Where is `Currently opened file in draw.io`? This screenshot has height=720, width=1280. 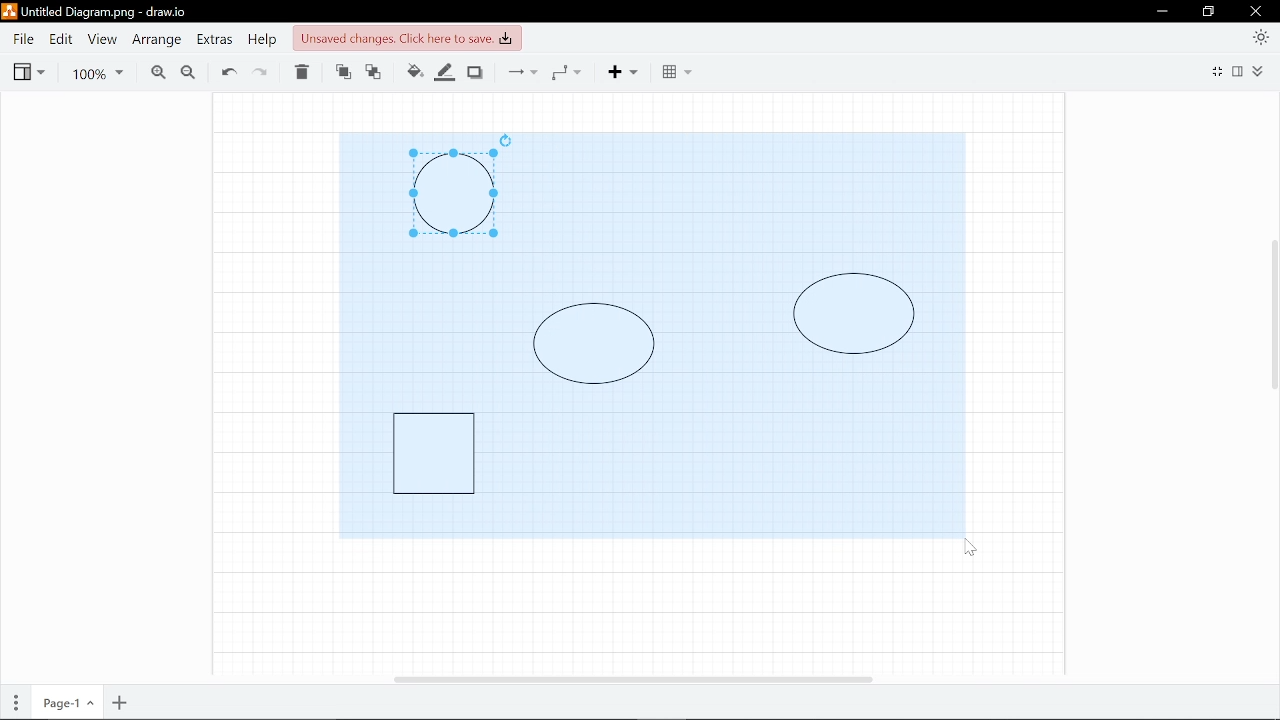 Currently opened file in draw.io is located at coordinates (98, 13).